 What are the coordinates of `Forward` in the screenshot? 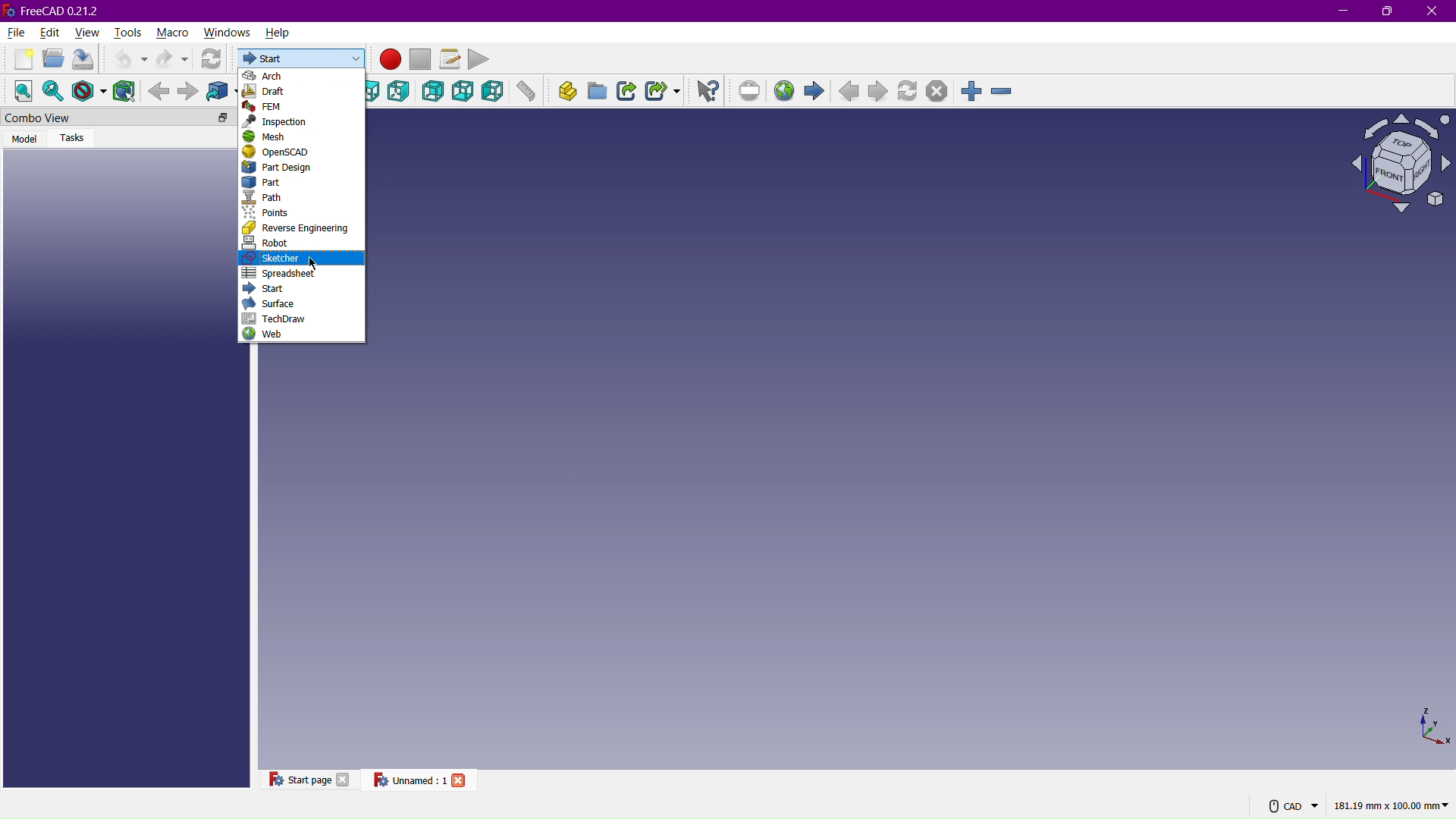 It's located at (189, 89).